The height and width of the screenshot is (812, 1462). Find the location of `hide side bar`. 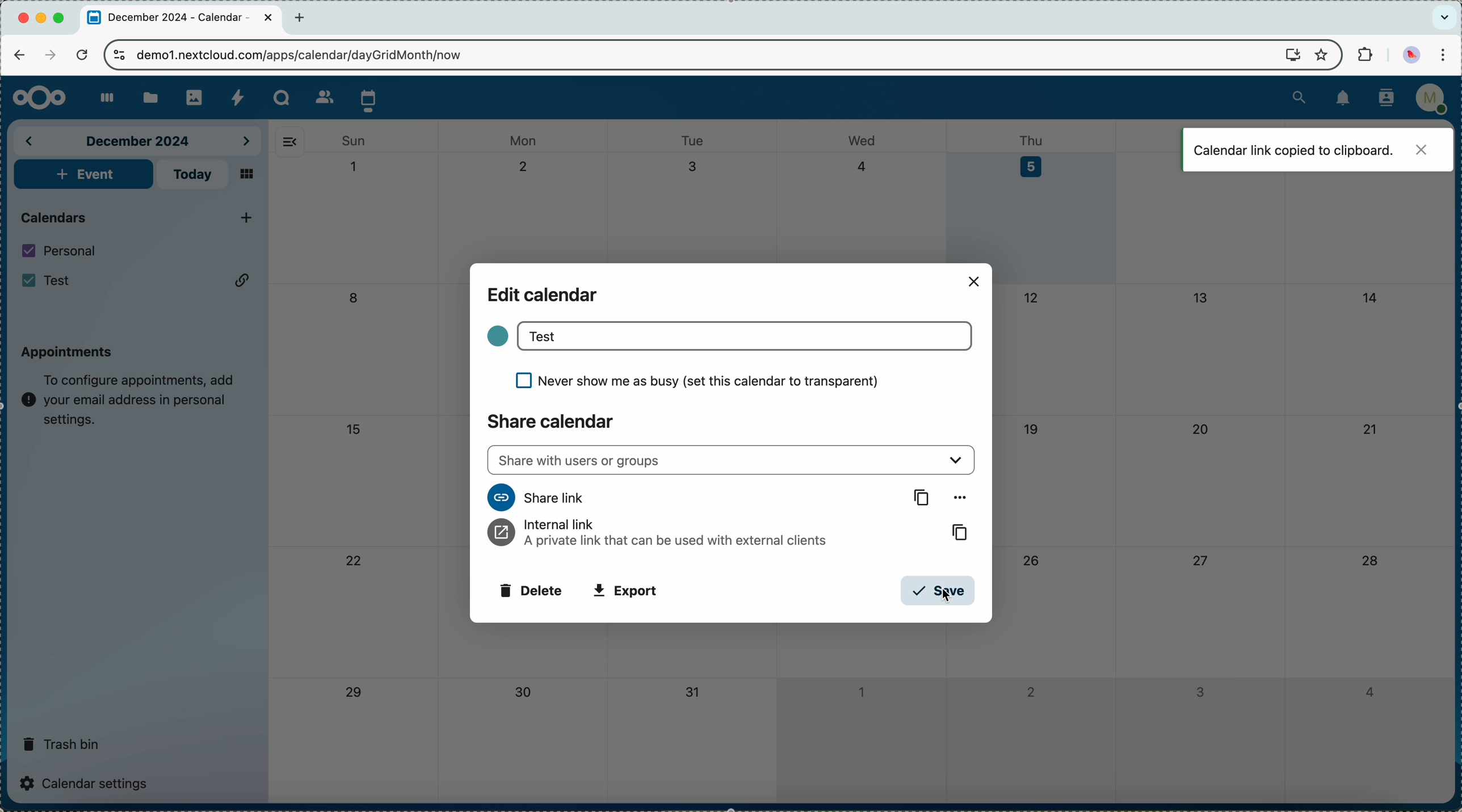

hide side bar is located at coordinates (289, 141).